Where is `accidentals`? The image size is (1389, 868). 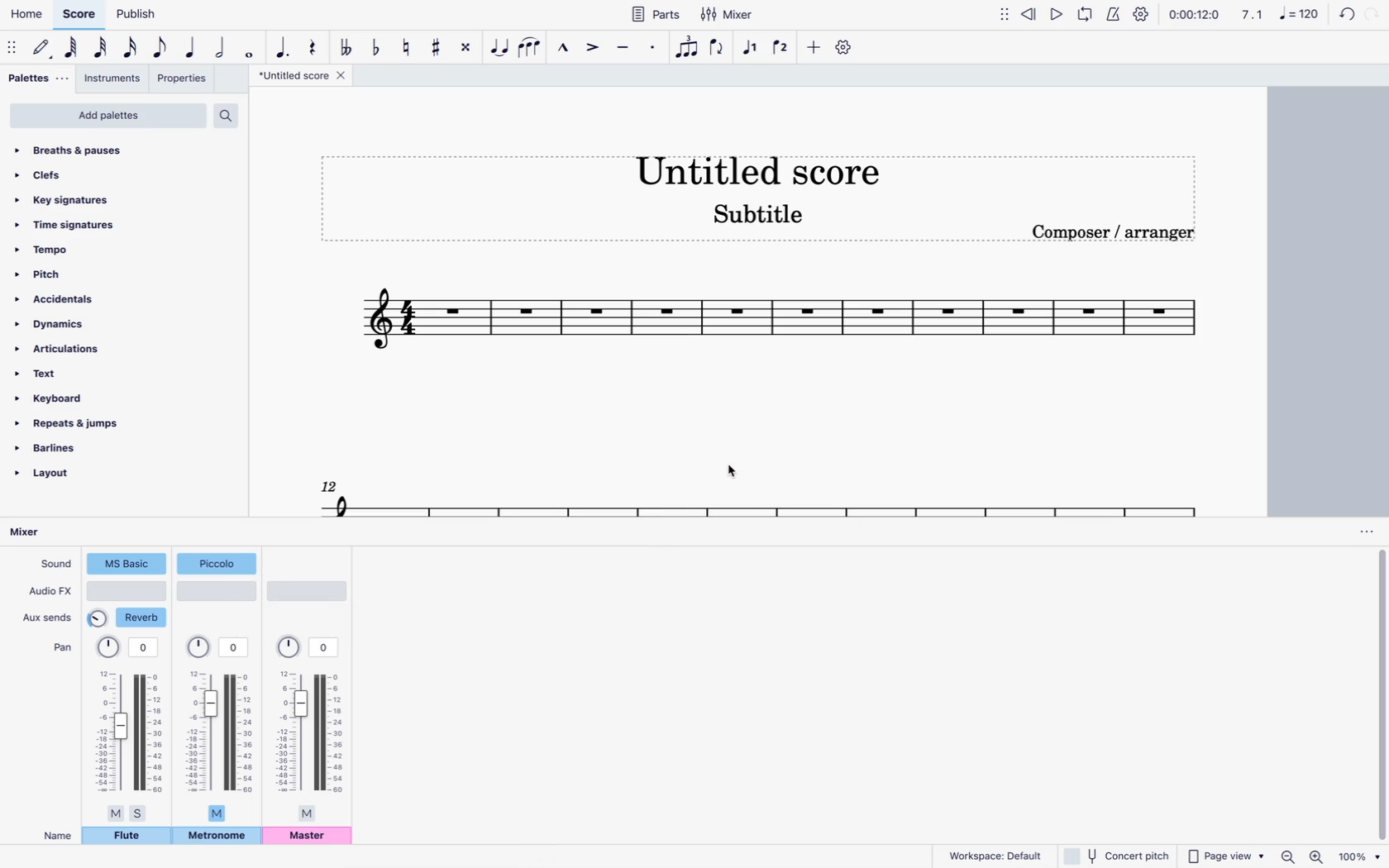 accidentals is located at coordinates (91, 298).